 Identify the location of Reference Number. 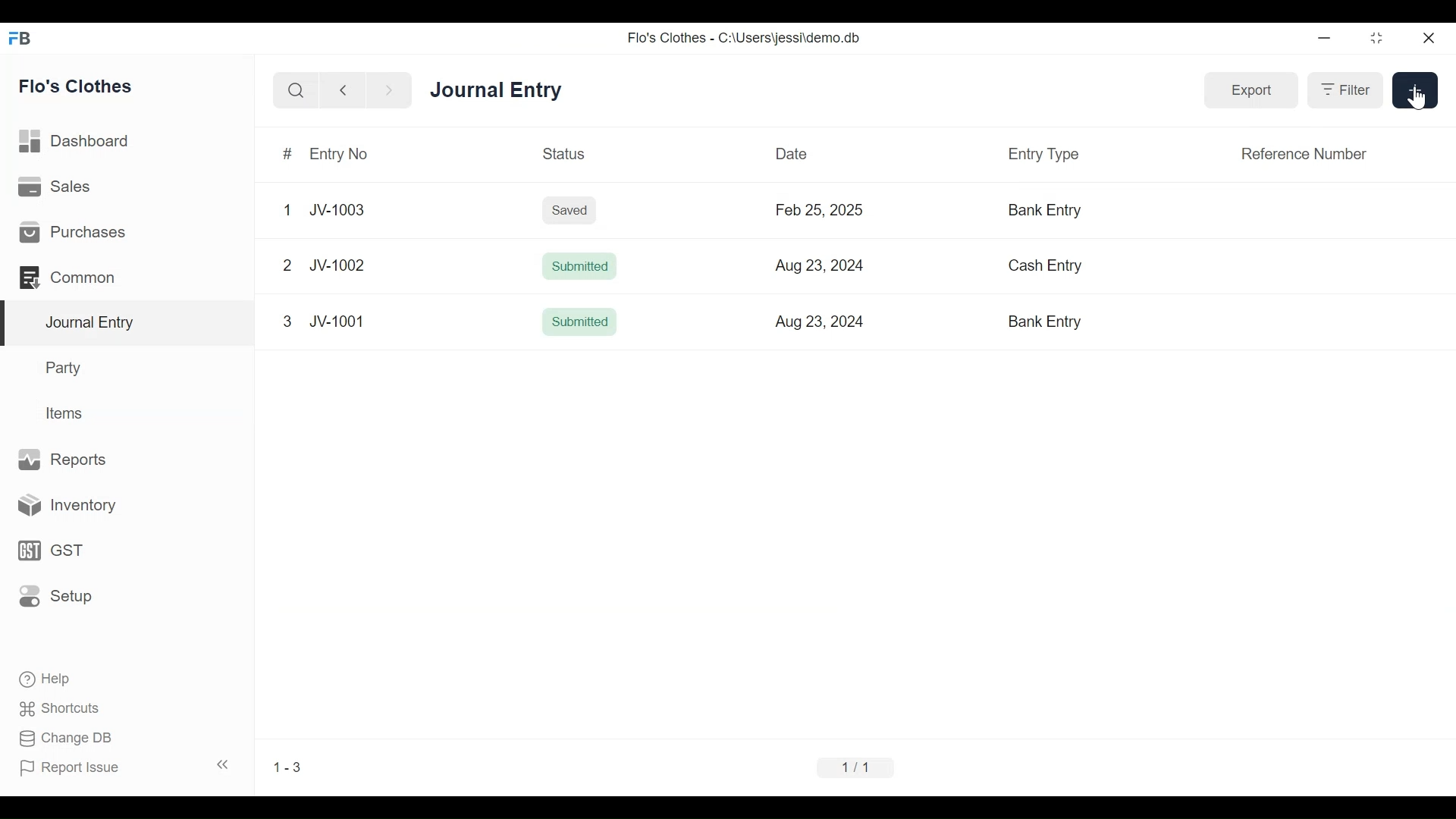
(1303, 152).